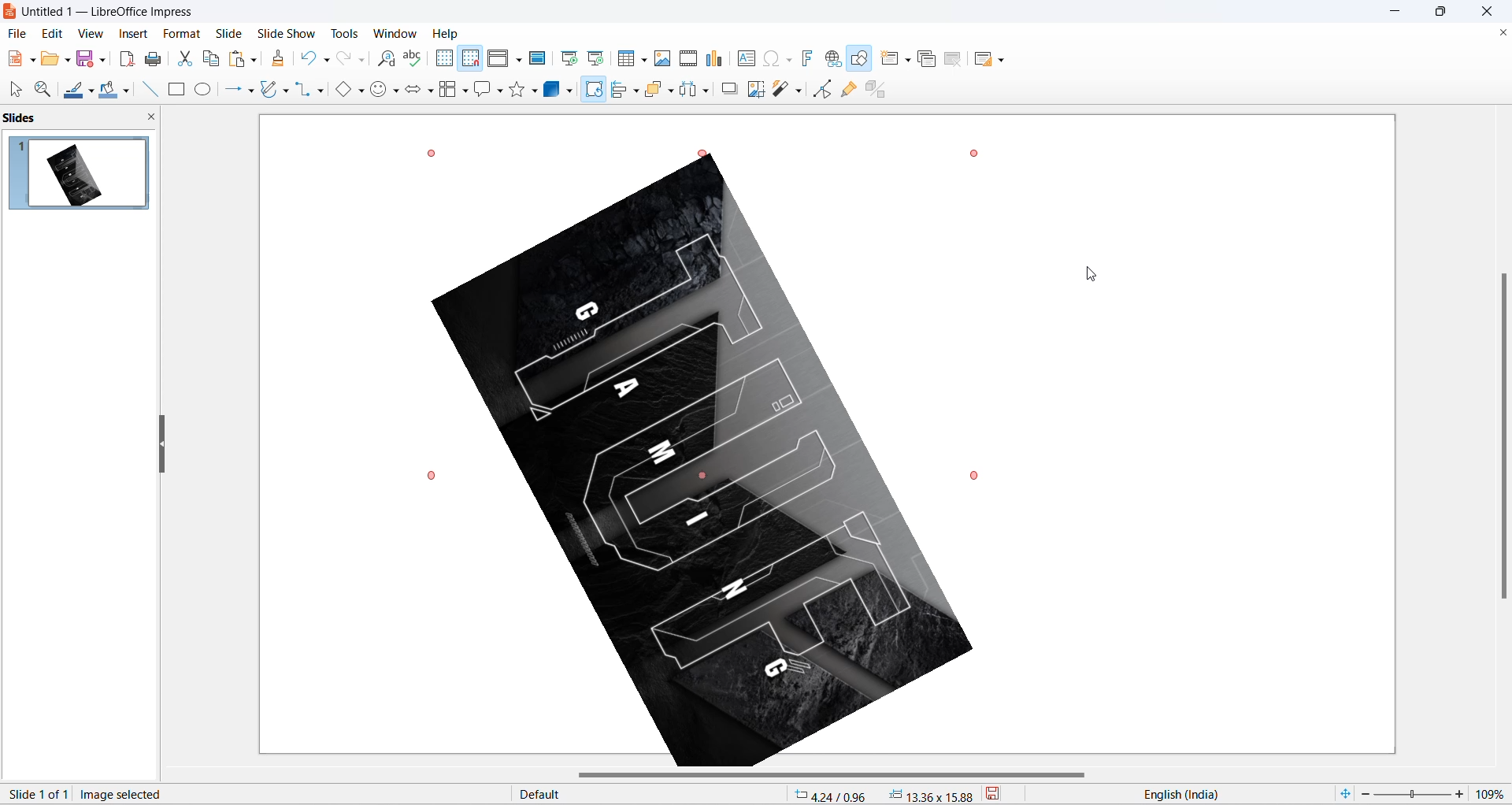  What do you see at coordinates (89, 33) in the screenshot?
I see `view` at bounding box center [89, 33].